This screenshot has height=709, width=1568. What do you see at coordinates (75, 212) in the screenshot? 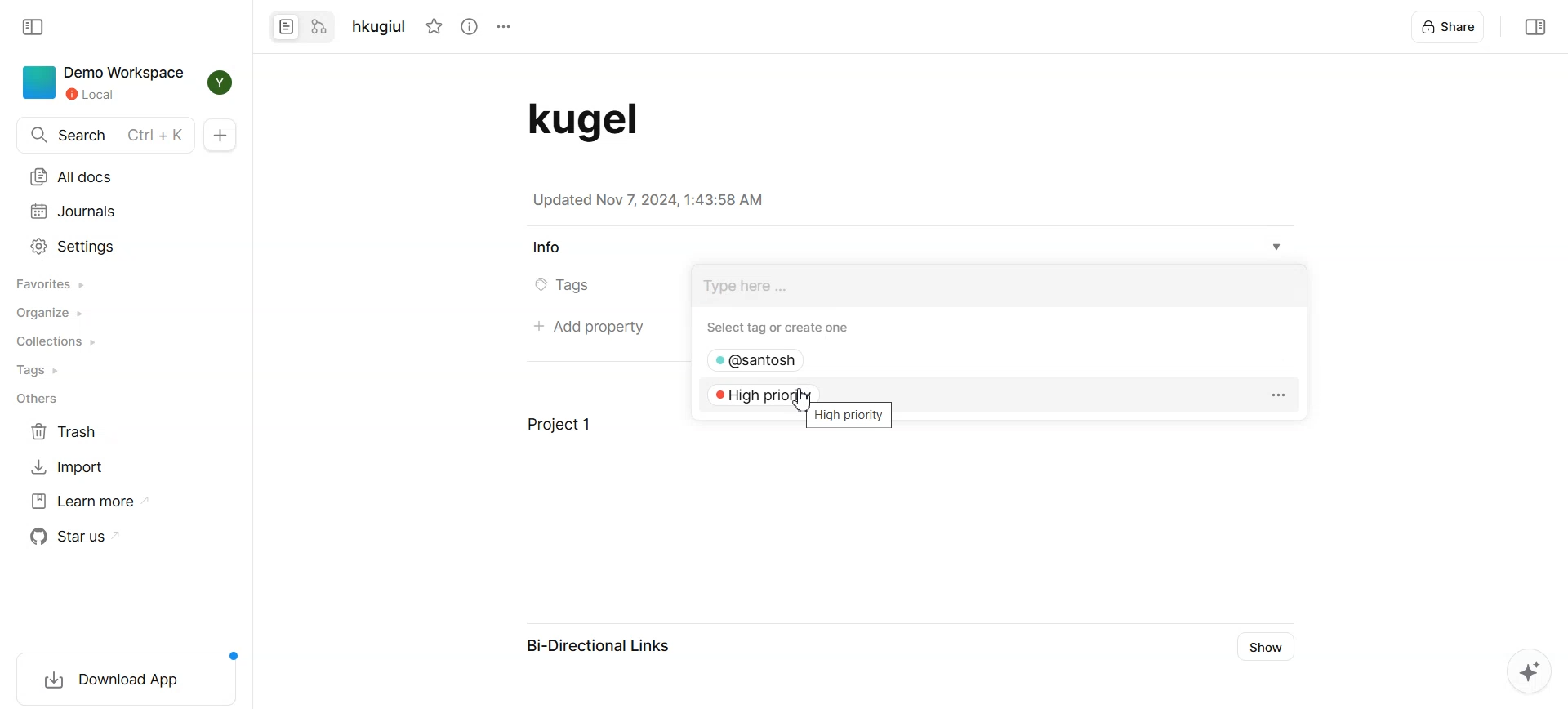
I see `Journals` at bounding box center [75, 212].